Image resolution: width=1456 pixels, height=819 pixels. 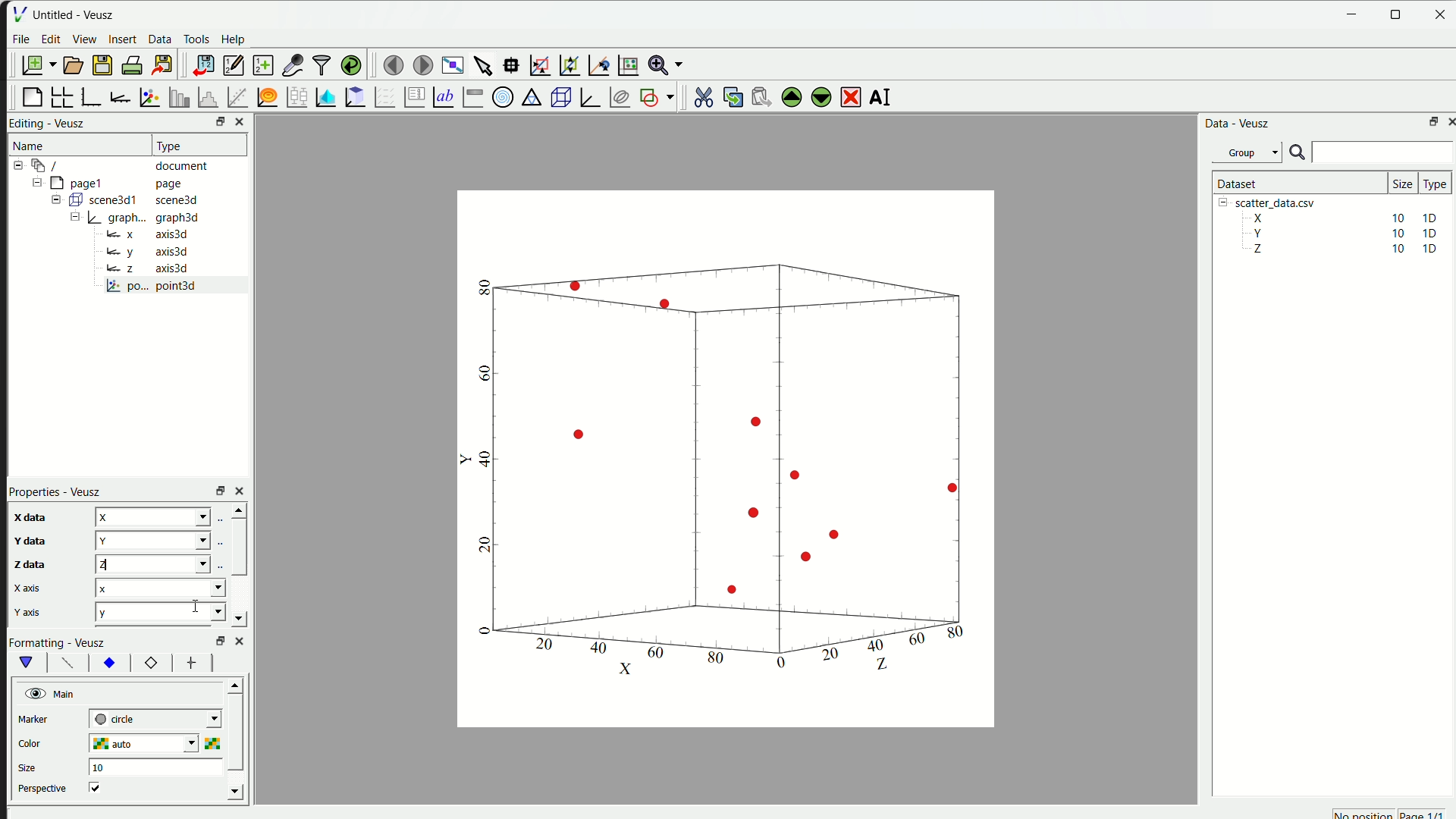 What do you see at coordinates (100, 66) in the screenshot?
I see `save a document` at bounding box center [100, 66].